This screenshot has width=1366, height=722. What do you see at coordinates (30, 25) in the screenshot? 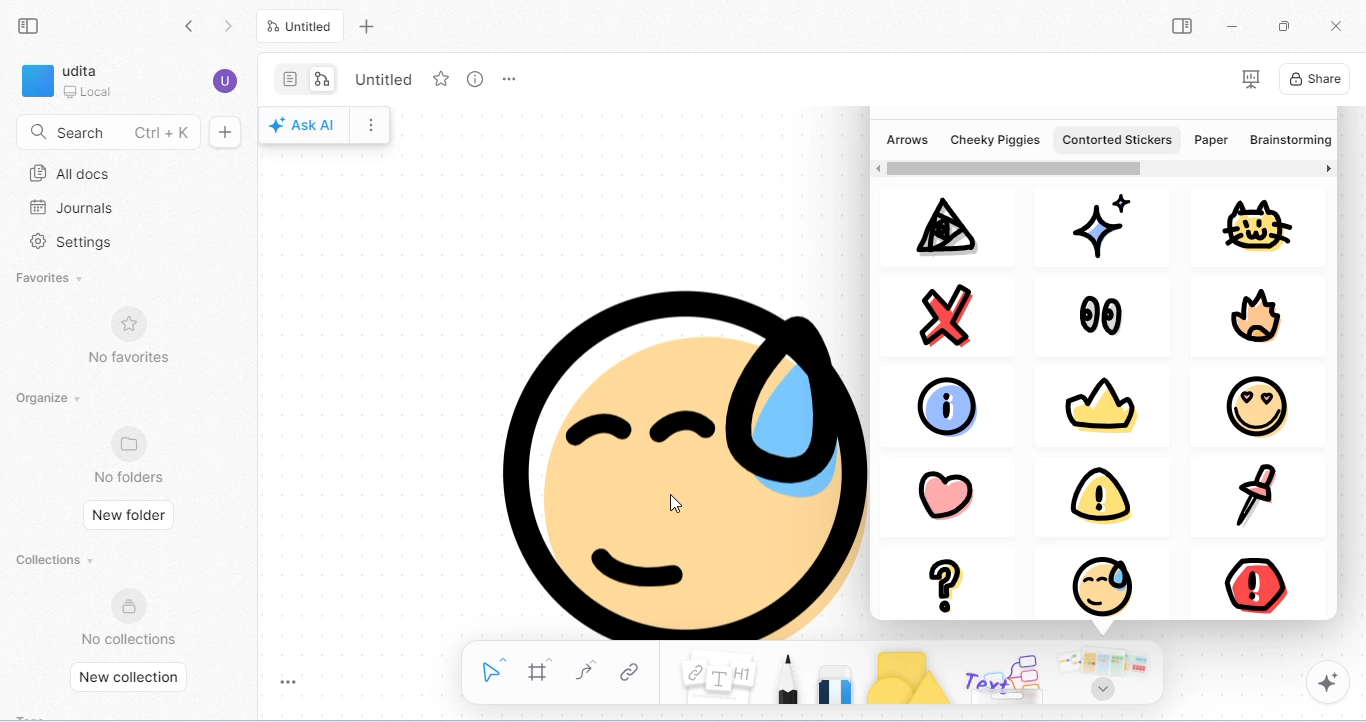
I see `collapse side bar` at bounding box center [30, 25].